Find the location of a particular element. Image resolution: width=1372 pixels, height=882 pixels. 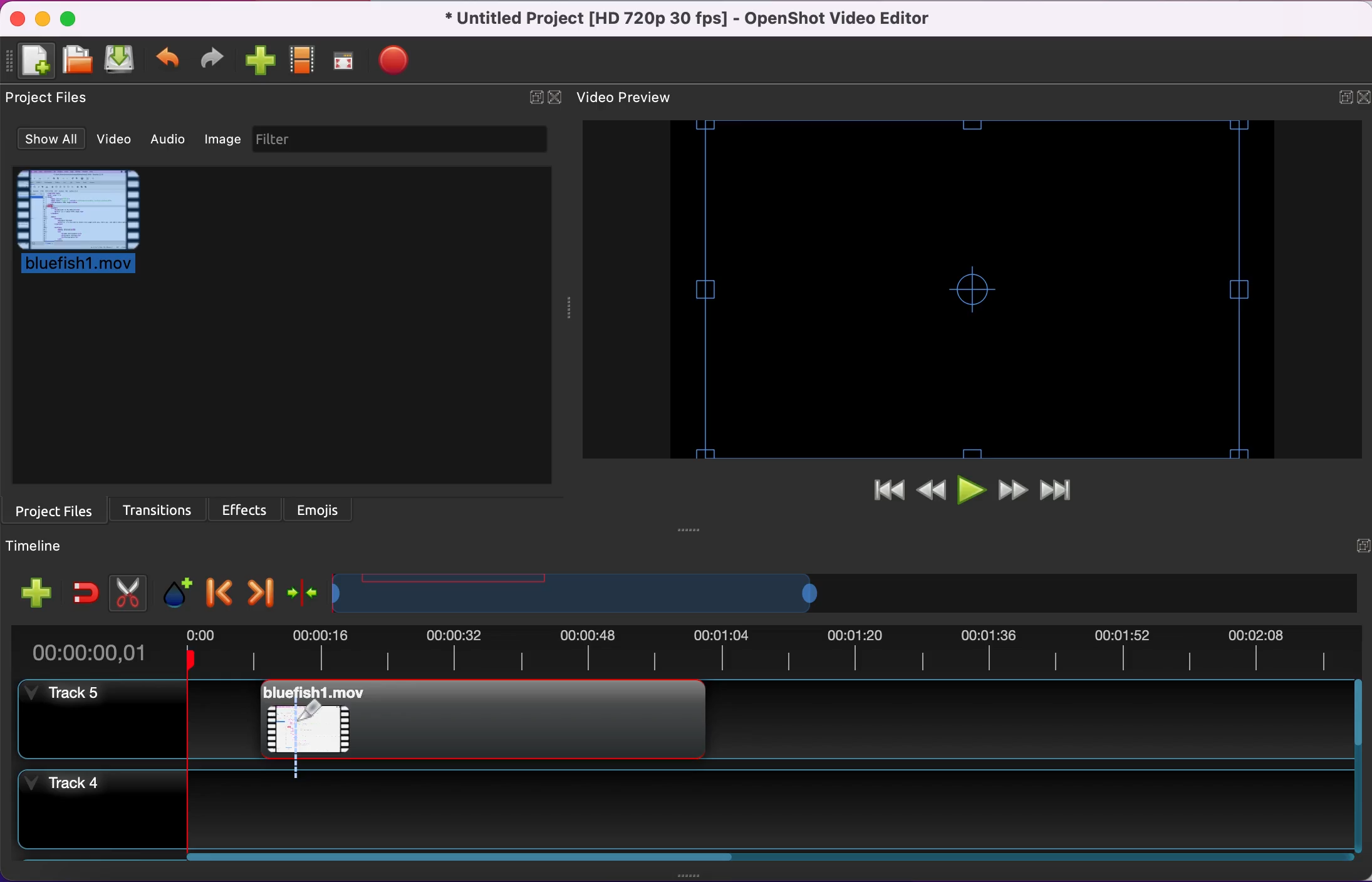

center the timeline is located at coordinates (300, 593).